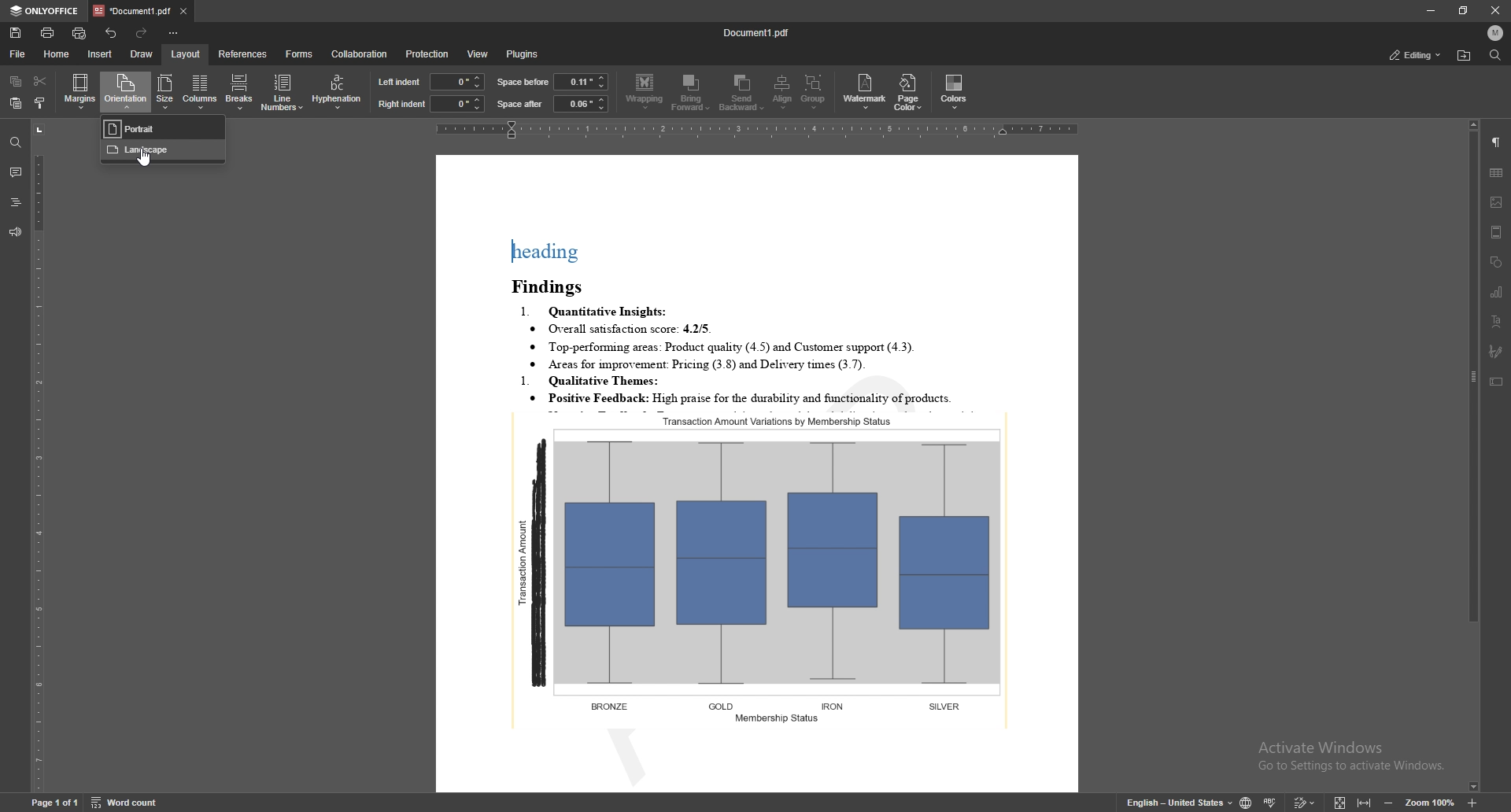 The height and width of the screenshot is (812, 1511). What do you see at coordinates (1305, 802) in the screenshot?
I see `track changes` at bounding box center [1305, 802].